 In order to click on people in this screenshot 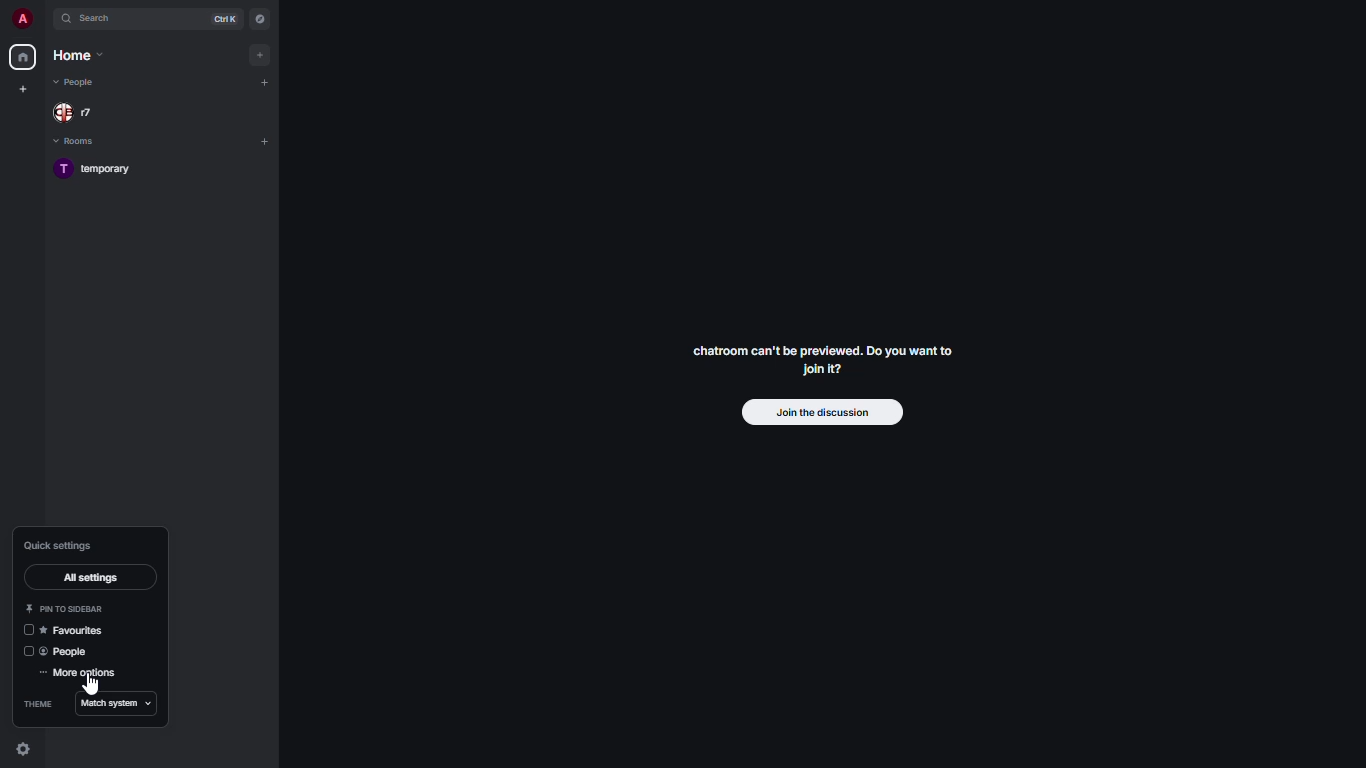, I will do `click(70, 653)`.